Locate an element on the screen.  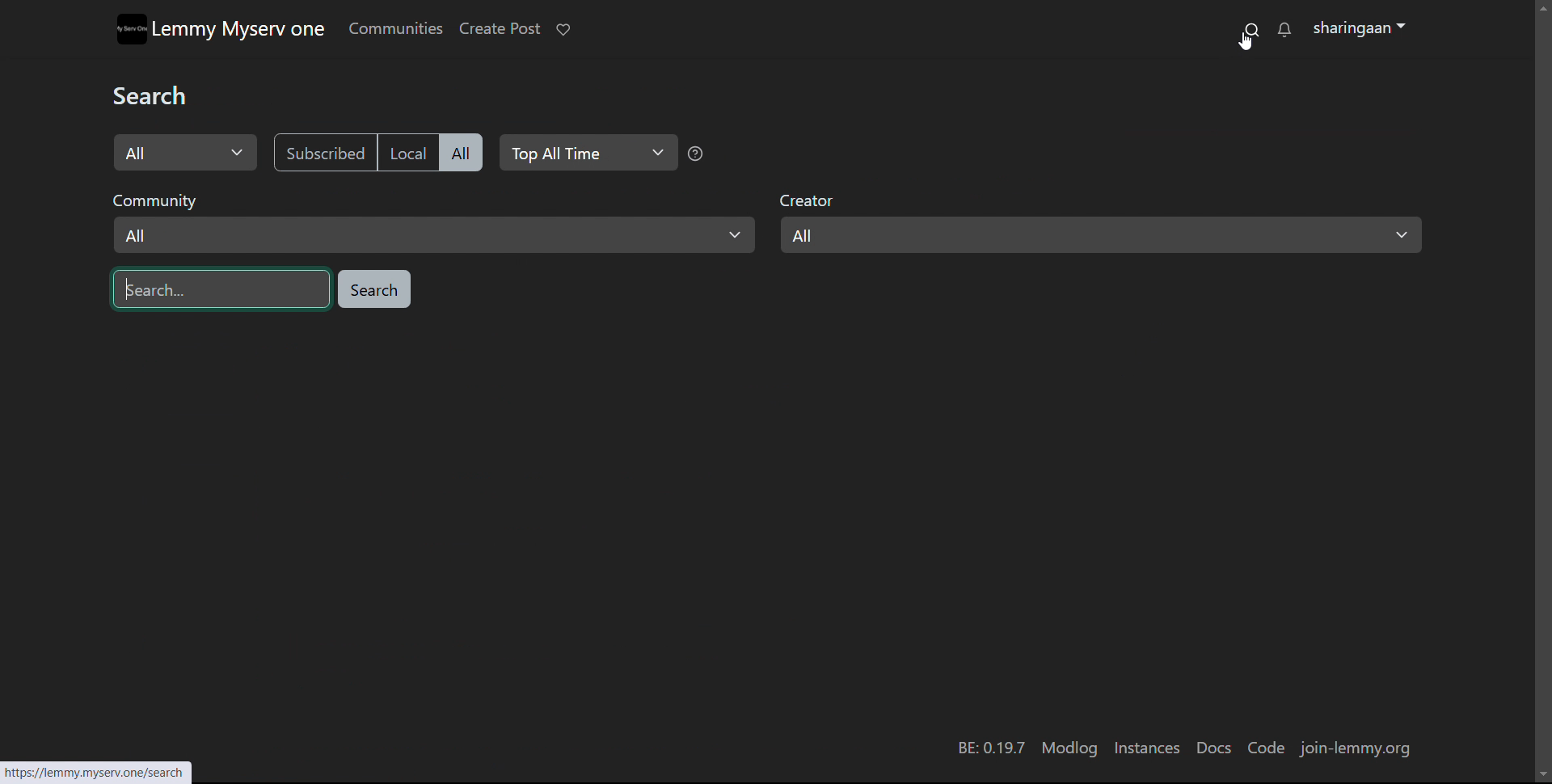
search is located at coordinates (373, 289).